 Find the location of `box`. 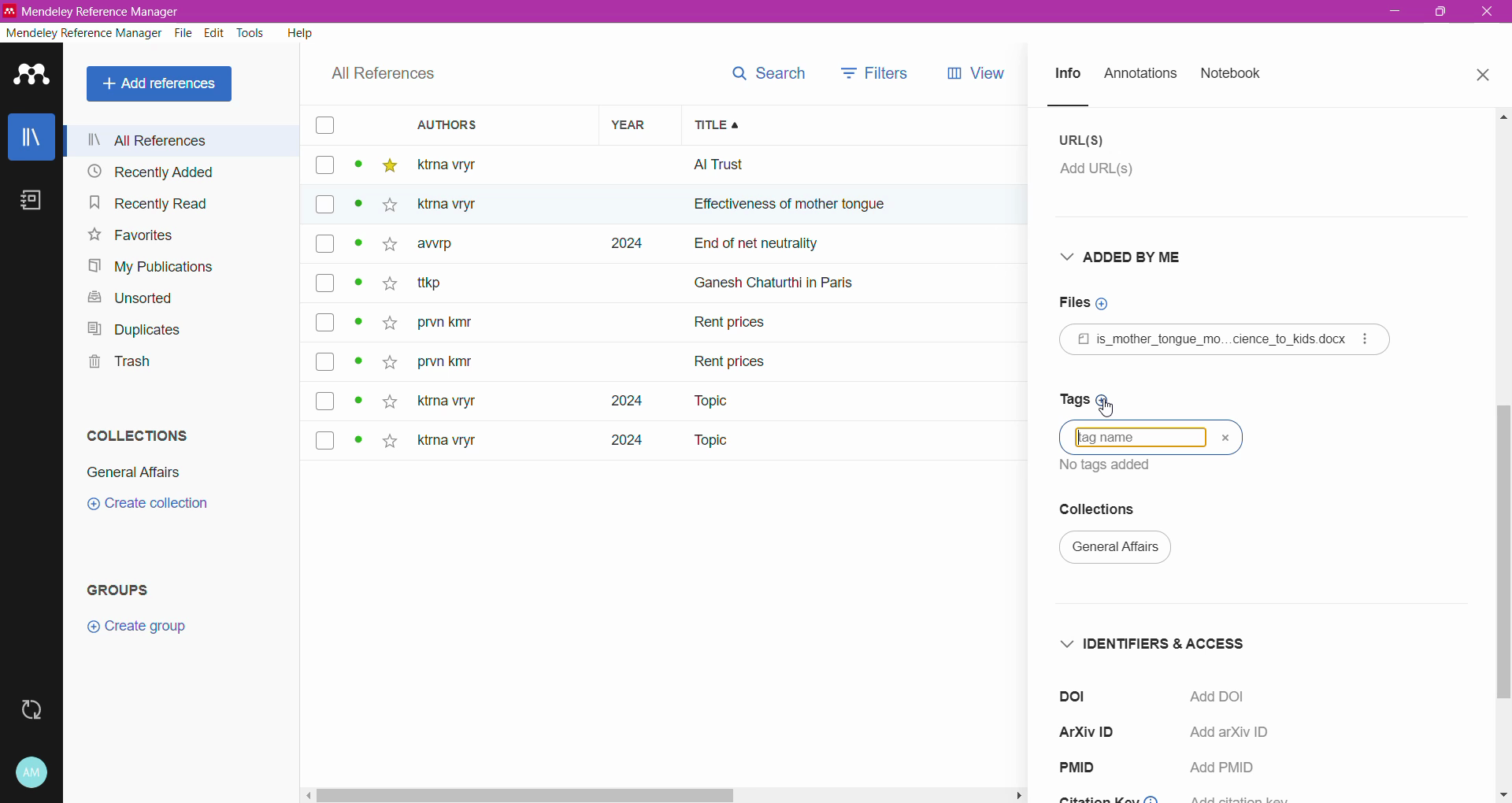

box is located at coordinates (324, 166).